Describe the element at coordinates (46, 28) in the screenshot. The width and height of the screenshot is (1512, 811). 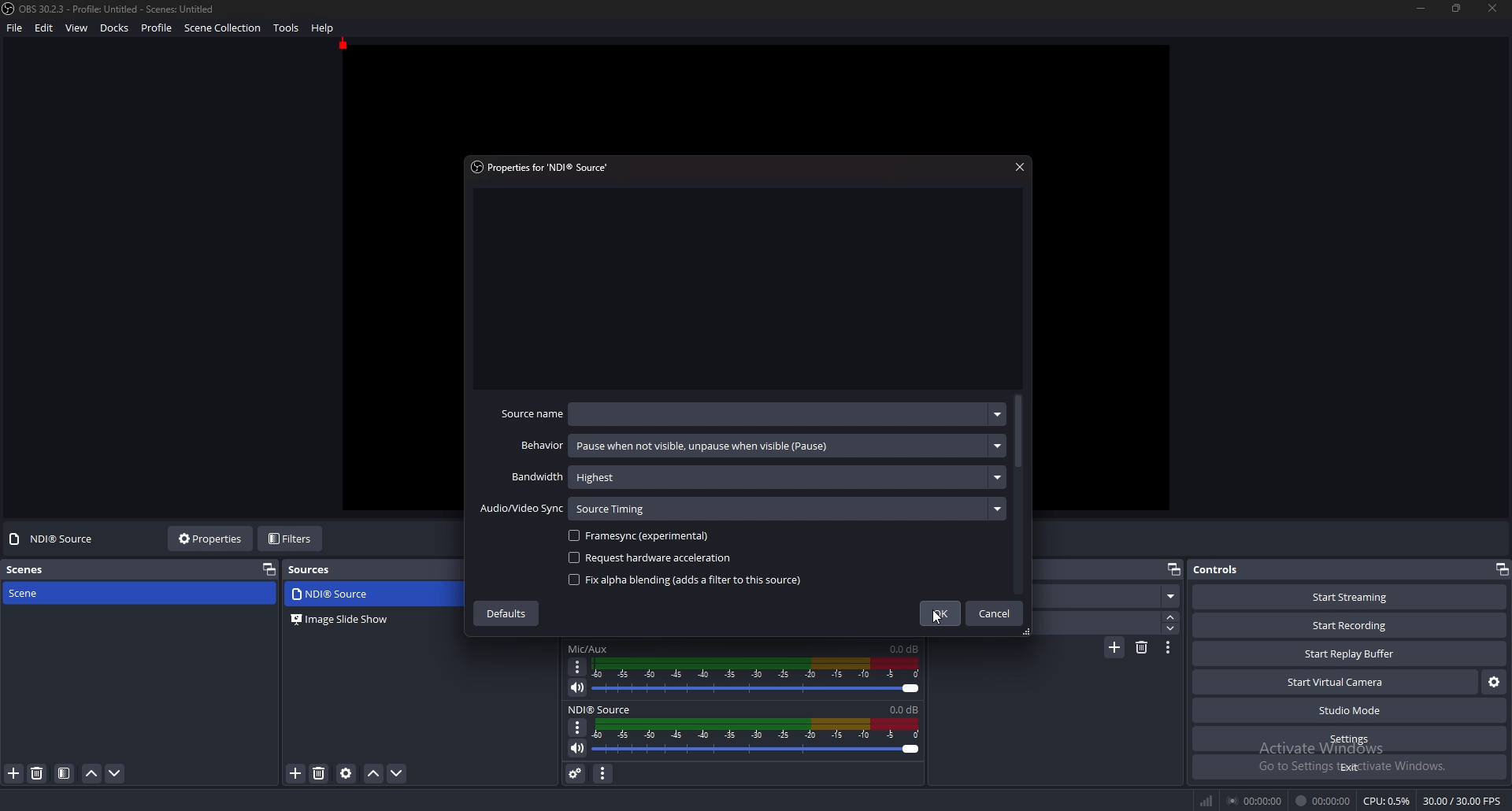
I see `edit` at that location.